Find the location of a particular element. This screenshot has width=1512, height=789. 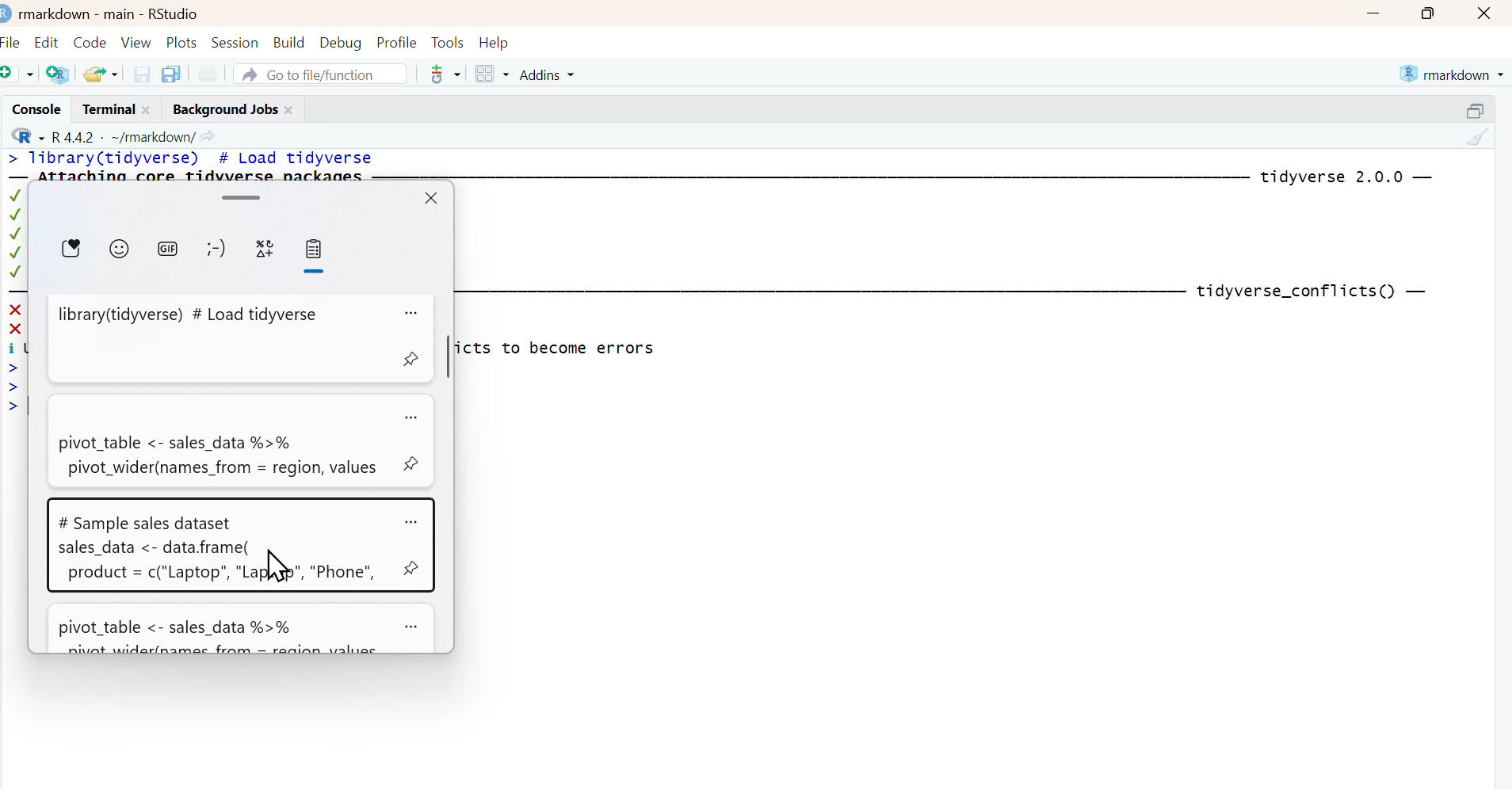

vertical scrollbar is located at coordinates (449, 358).